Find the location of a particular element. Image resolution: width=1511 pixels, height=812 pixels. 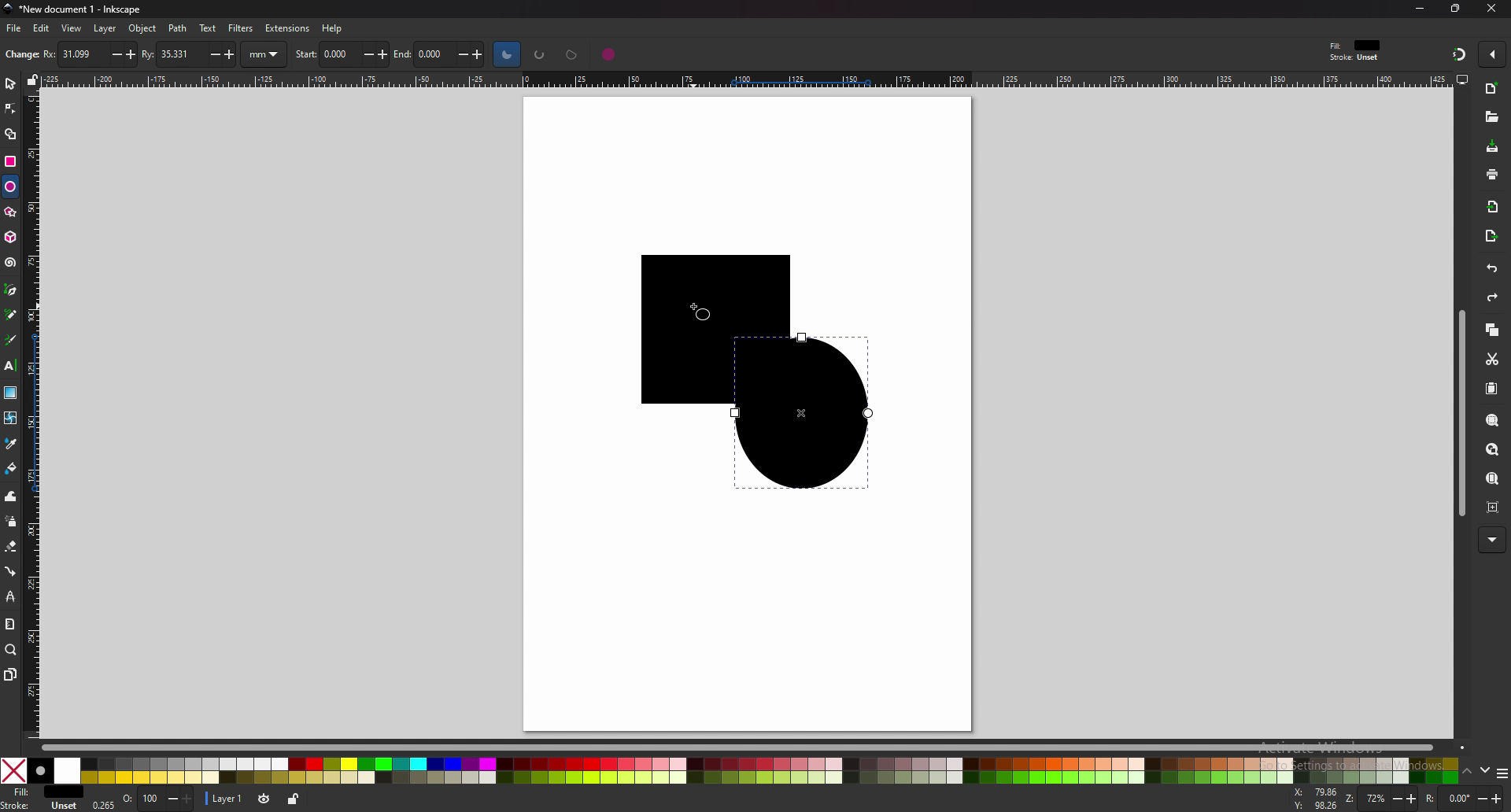

undo is located at coordinates (1491, 269).